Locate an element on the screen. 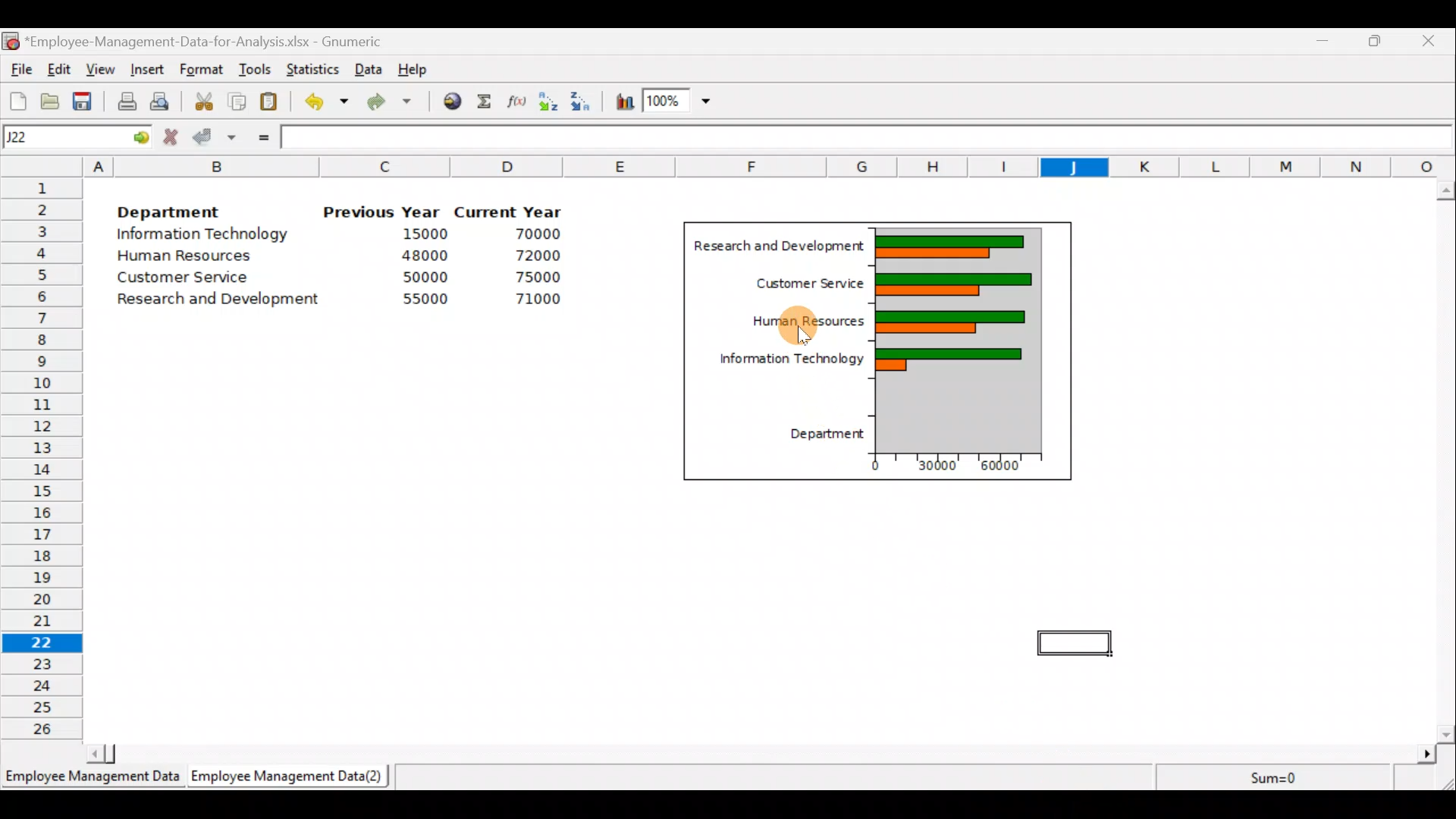 Image resolution: width=1456 pixels, height=819 pixels. Rows is located at coordinates (42, 460).